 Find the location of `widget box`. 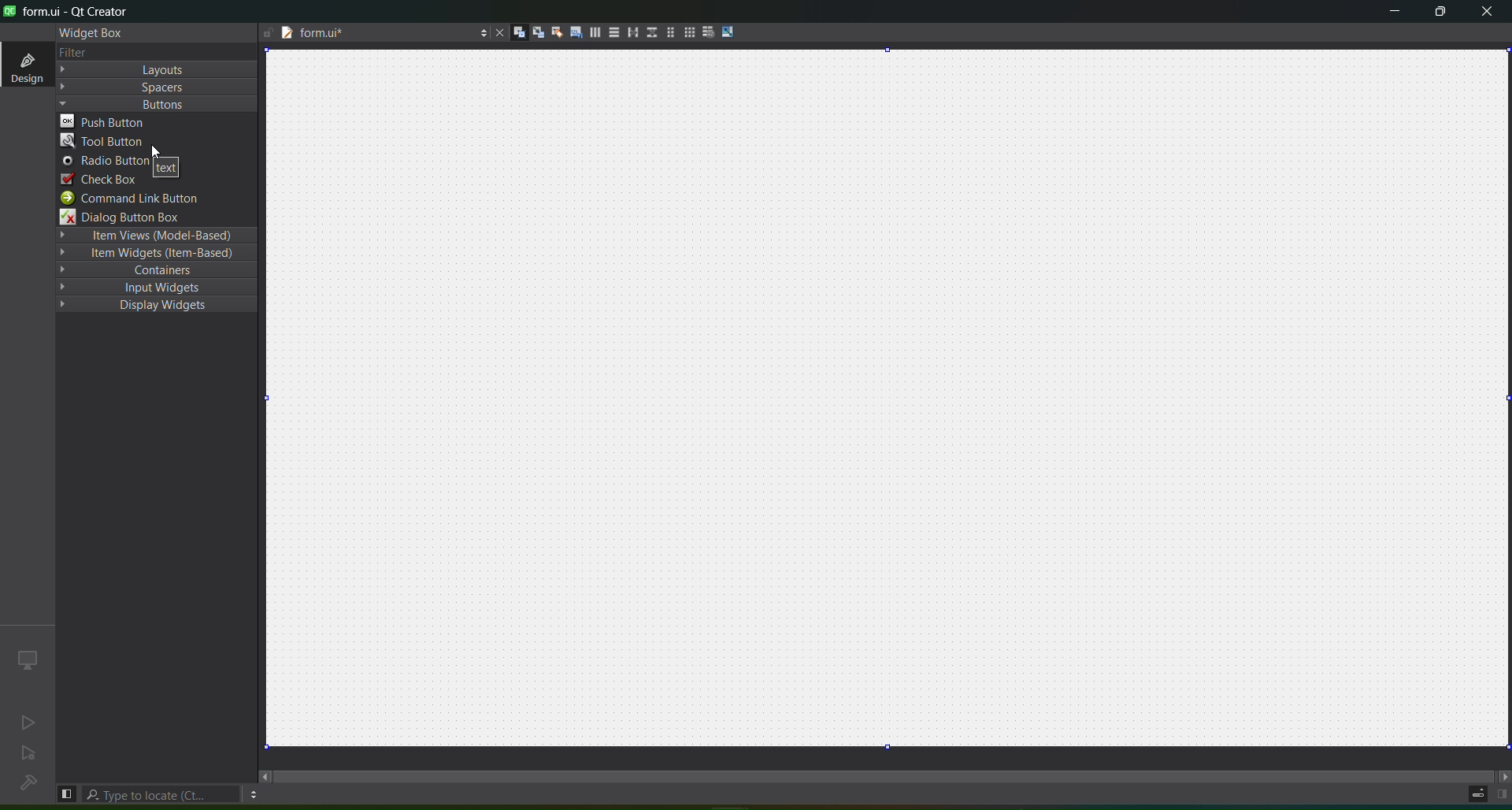

widget box is located at coordinates (95, 35).